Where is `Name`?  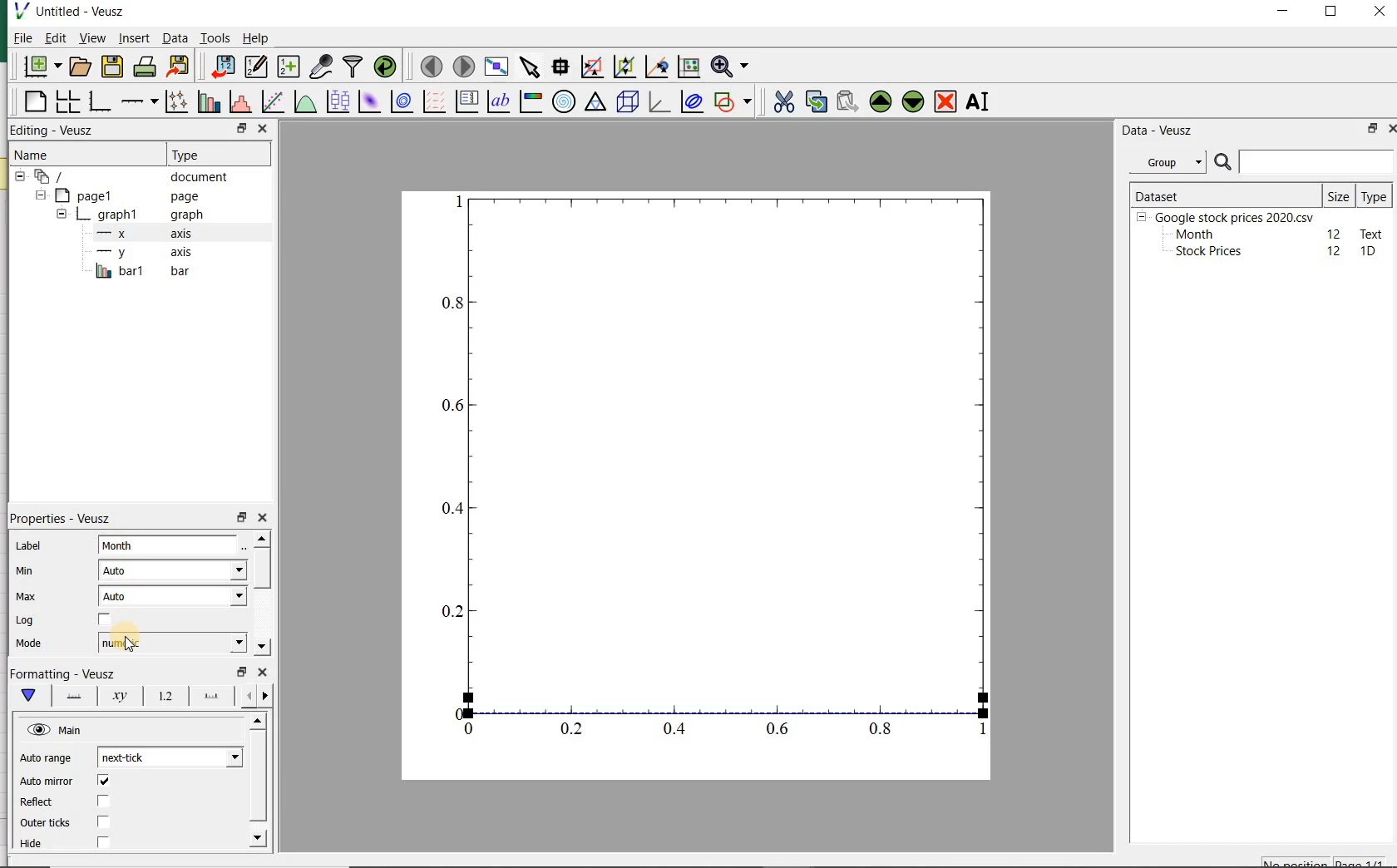
Name is located at coordinates (42, 155).